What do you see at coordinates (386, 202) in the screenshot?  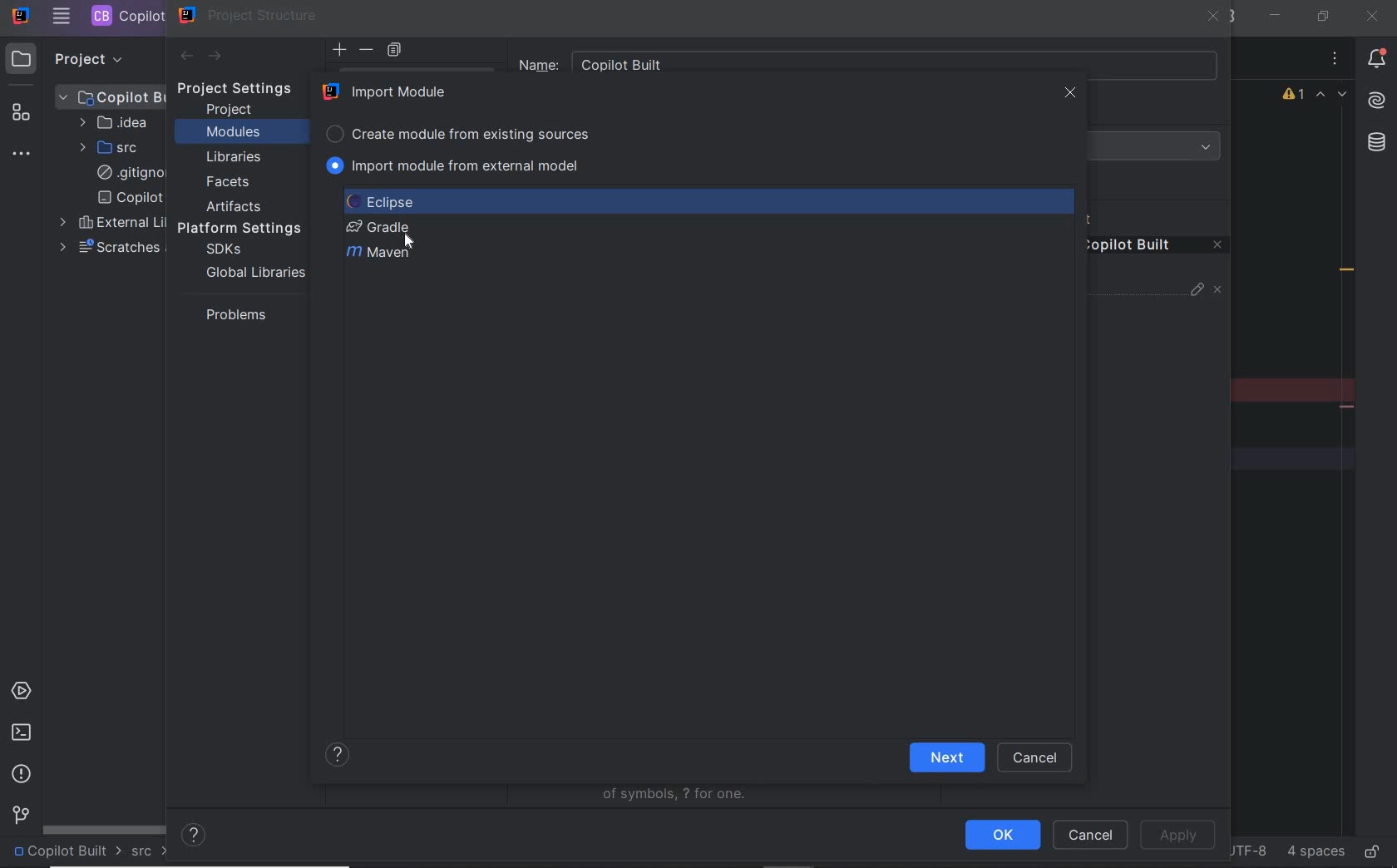 I see `ECLIPSE` at bounding box center [386, 202].